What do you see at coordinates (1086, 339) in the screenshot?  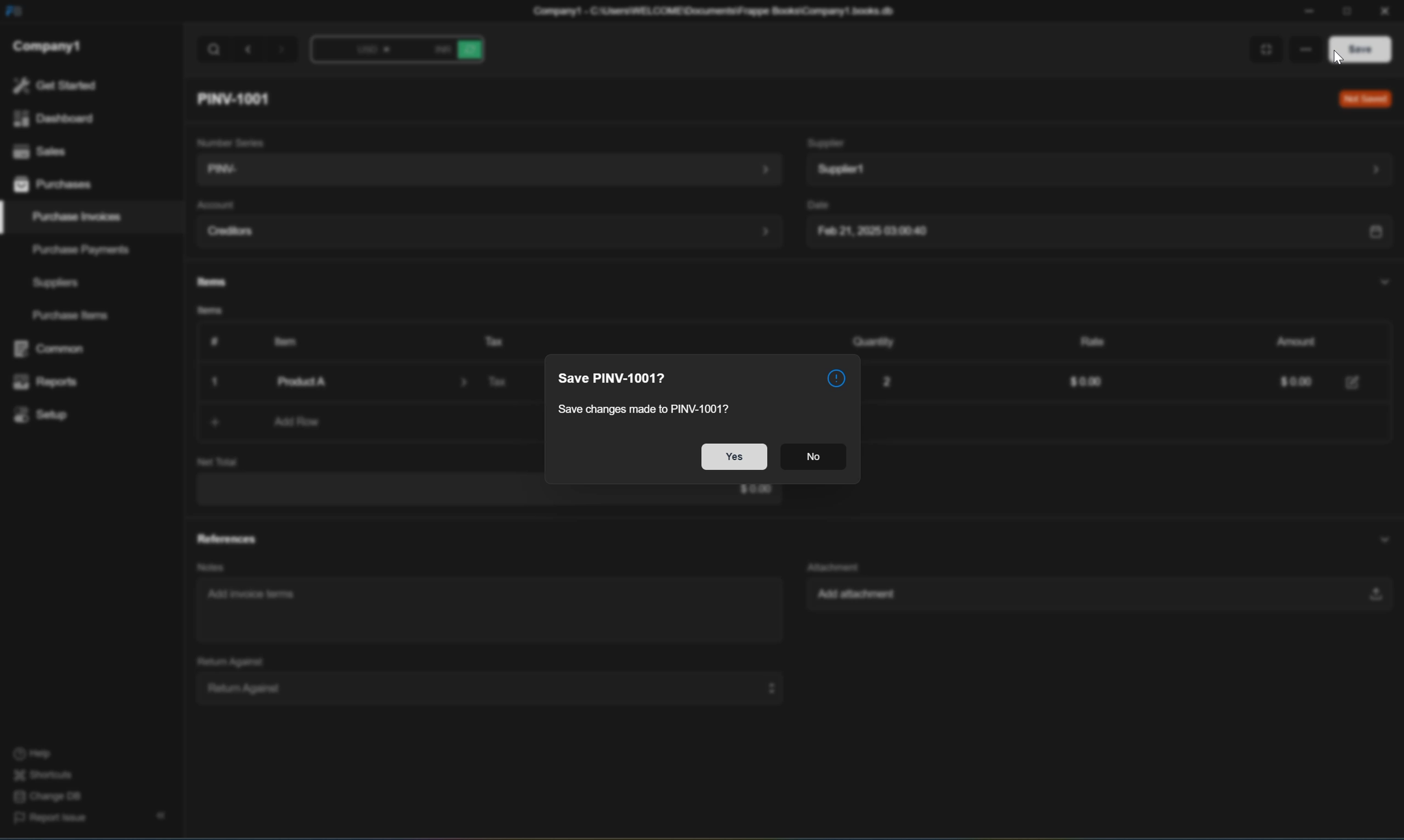 I see `Rate` at bounding box center [1086, 339].